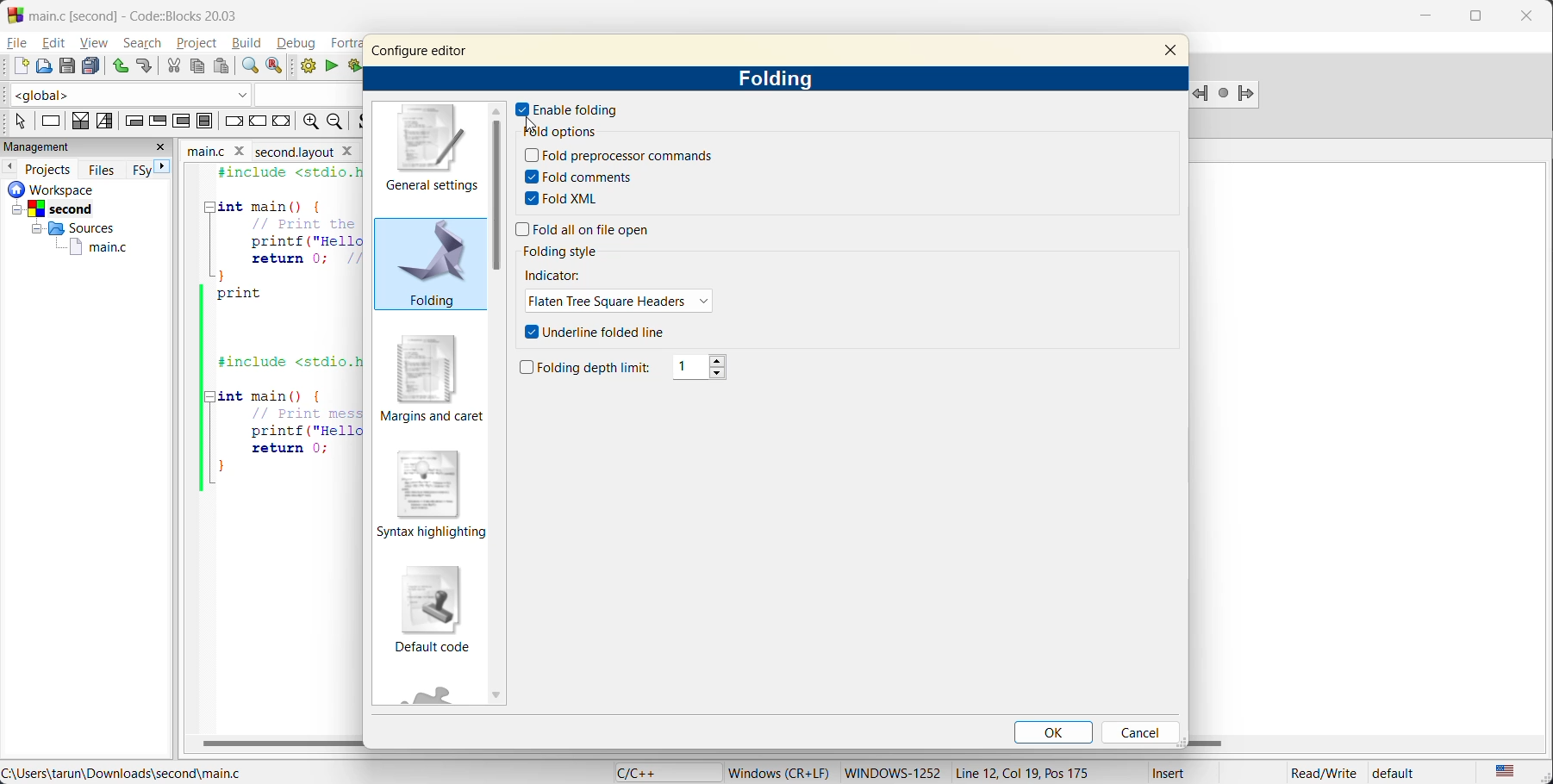  I want to click on configure editor, so click(427, 51).